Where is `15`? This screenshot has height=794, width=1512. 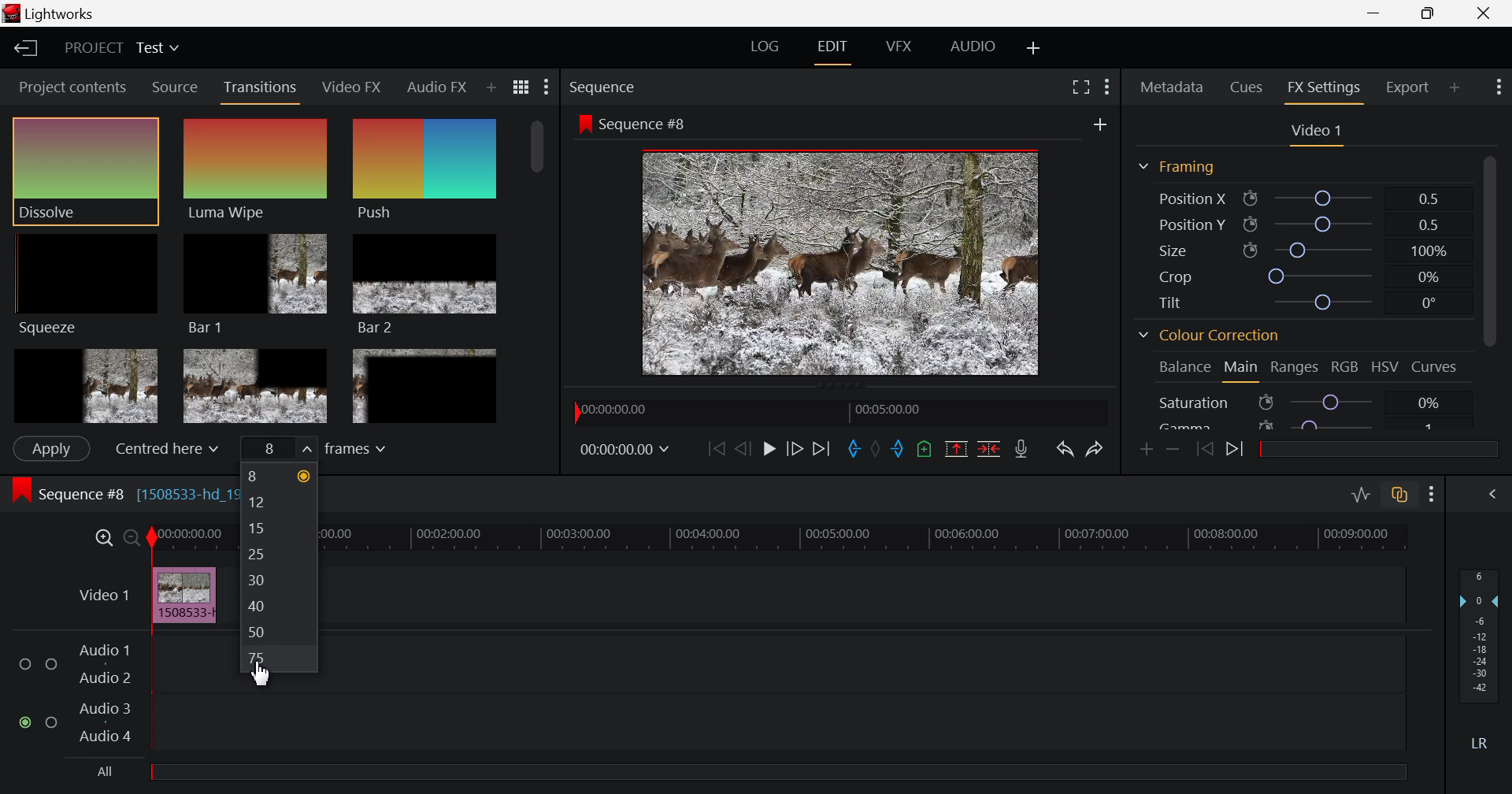 15 is located at coordinates (278, 527).